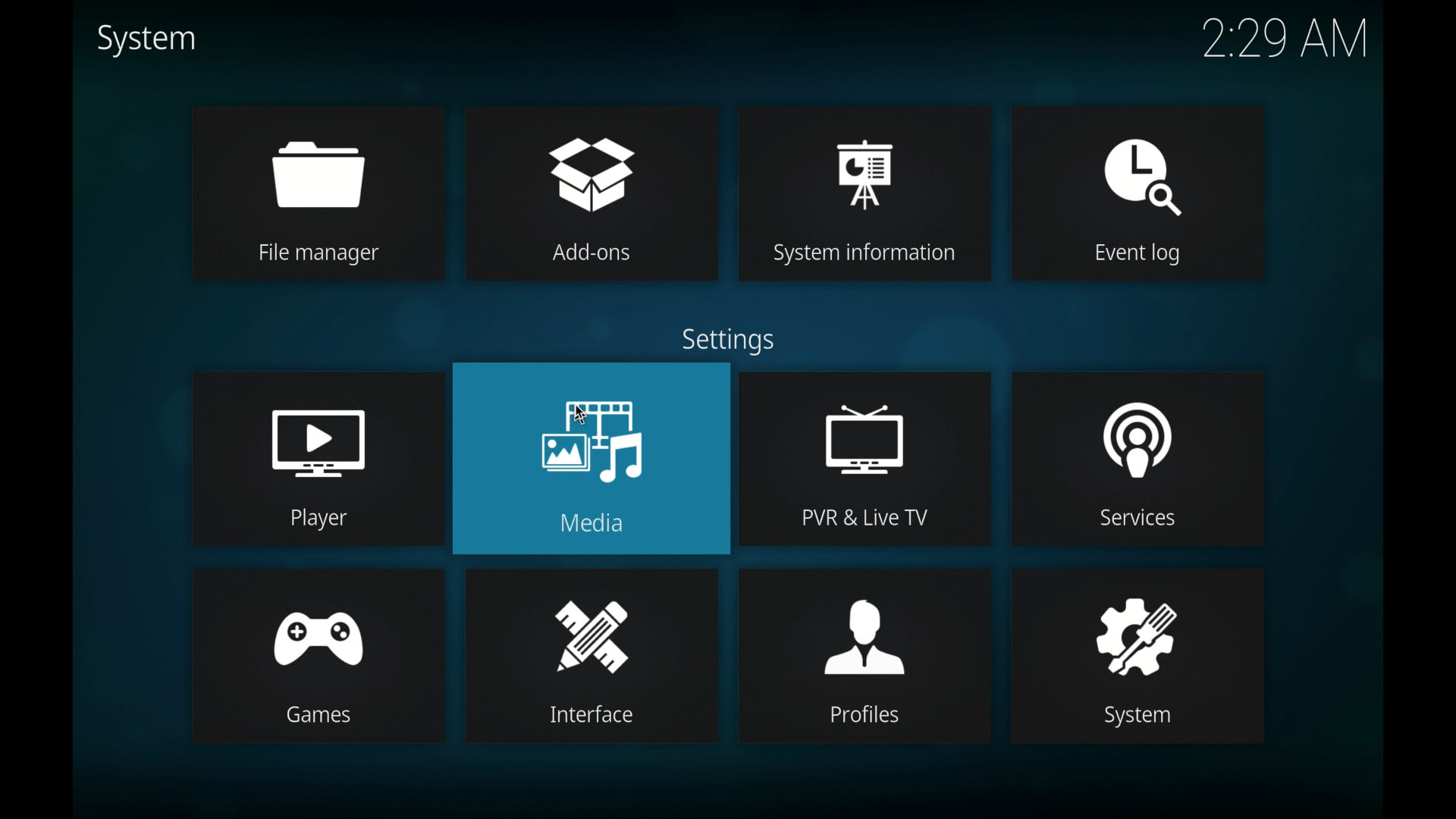 This screenshot has width=1456, height=819. Describe the element at coordinates (317, 515) in the screenshot. I see `Player` at that location.